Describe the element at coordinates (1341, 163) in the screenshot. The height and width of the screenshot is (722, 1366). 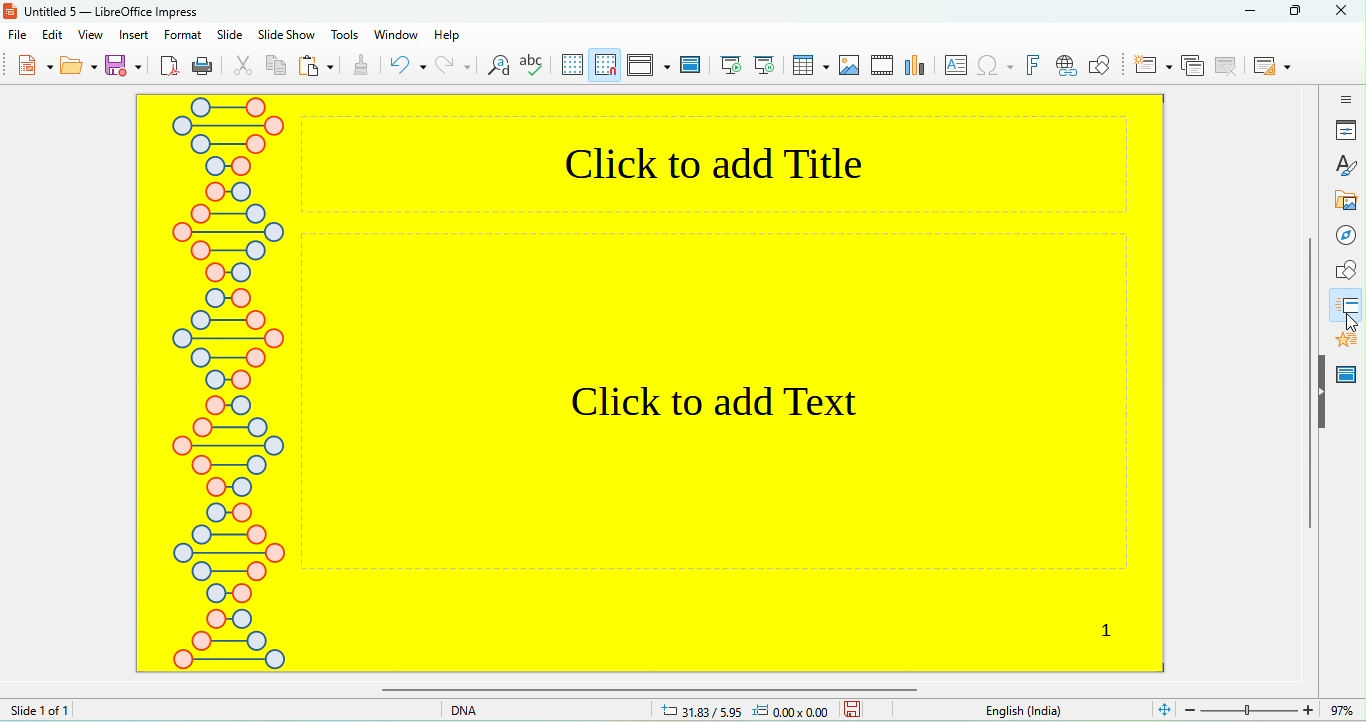
I see `style` at that location.